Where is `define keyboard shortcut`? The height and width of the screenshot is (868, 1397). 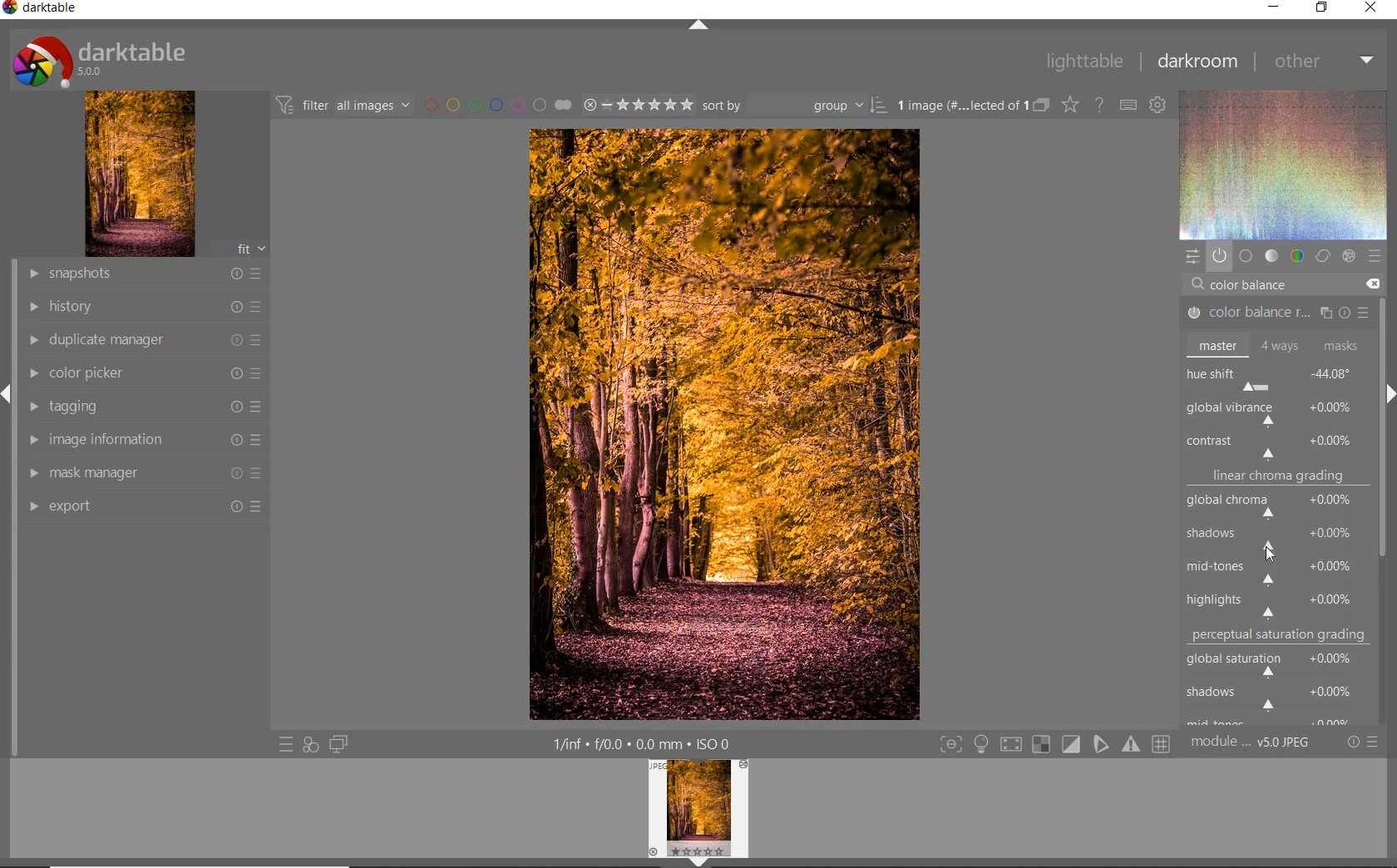 define keyboard shortcut is located at coordinates (1128, 106).